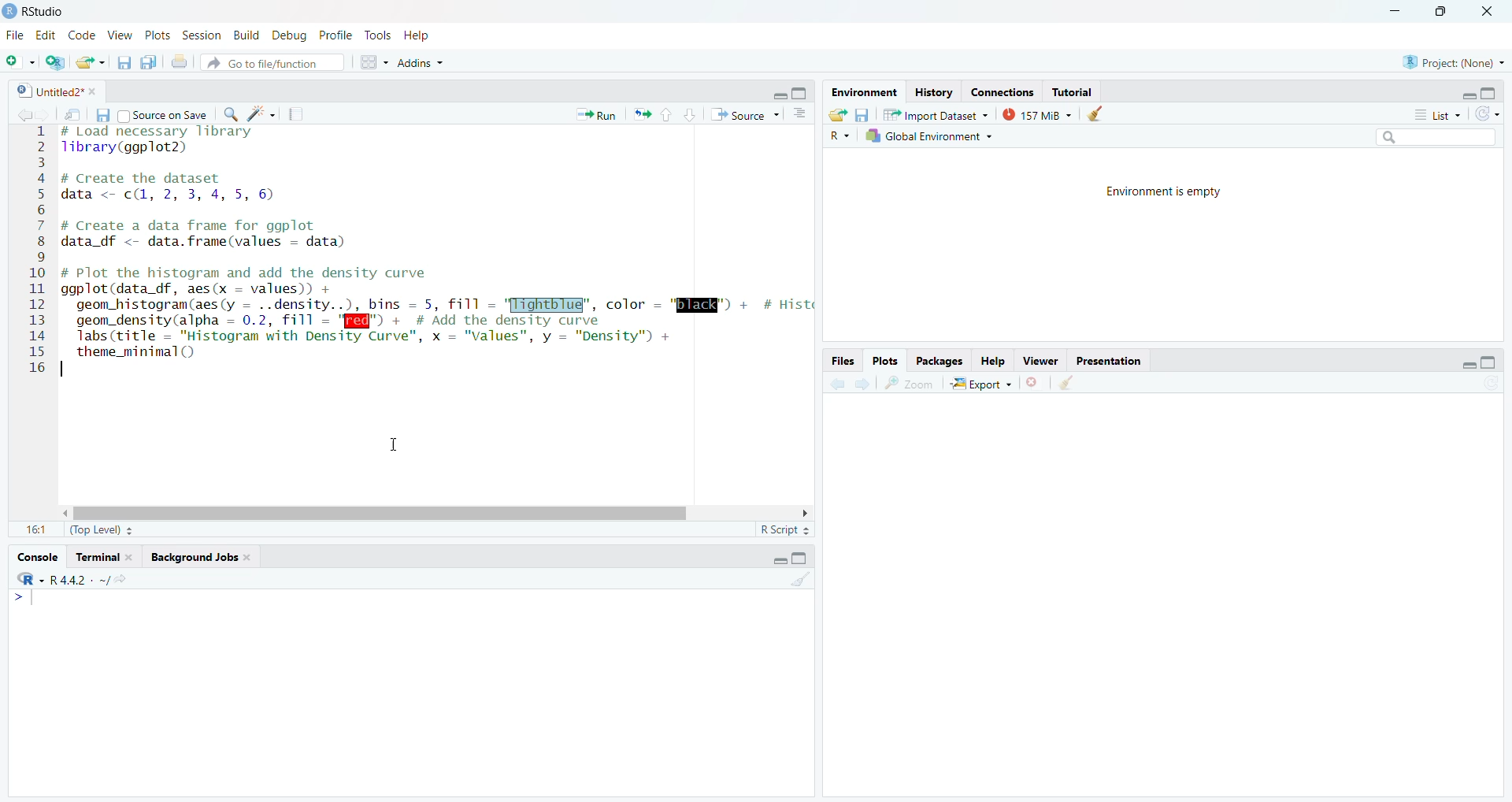 This screenshot has width=1512, height=802. Describe the element at coordinates (378, 35) in the screenshot. I see `Tools` at that location.